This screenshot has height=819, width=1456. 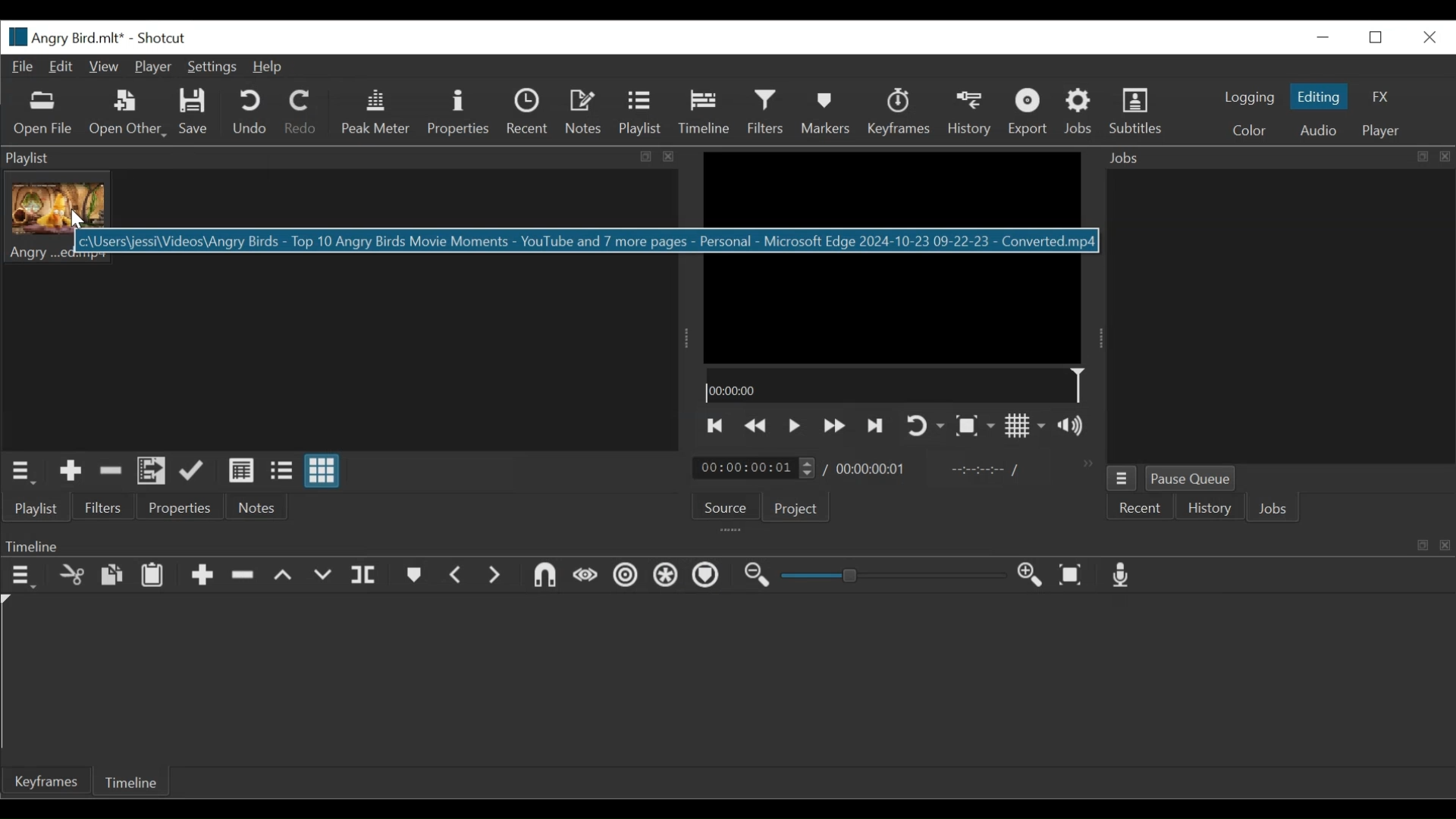 What do you see at coordinates (165, 39) in the screenshot?
I see `Shotcut` at bounding box center [165, 39].